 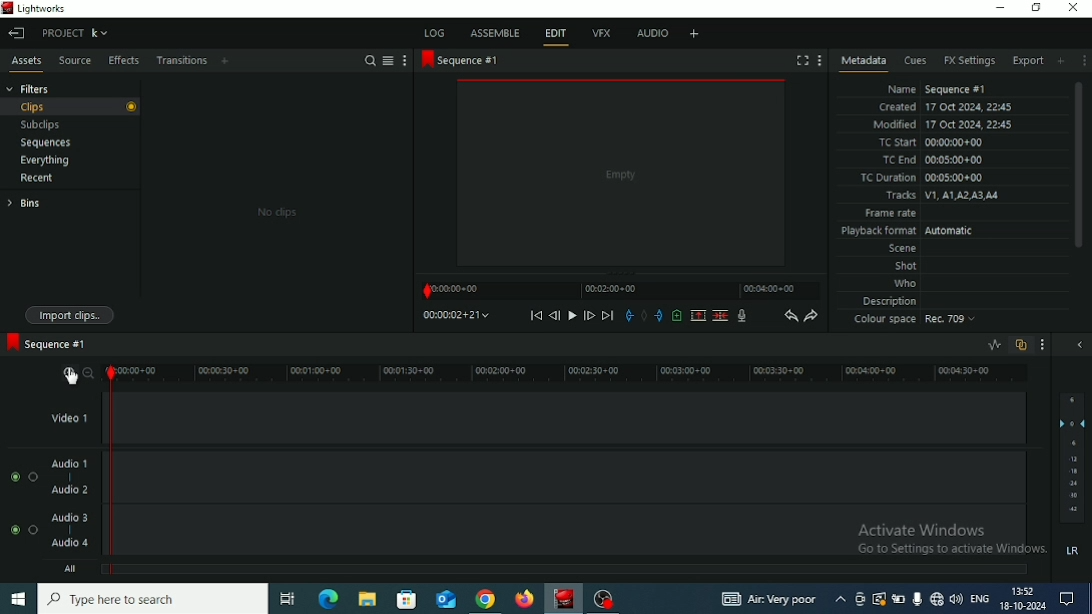 I want to click on Mute/unmute this track, so click(x=16, y=476).